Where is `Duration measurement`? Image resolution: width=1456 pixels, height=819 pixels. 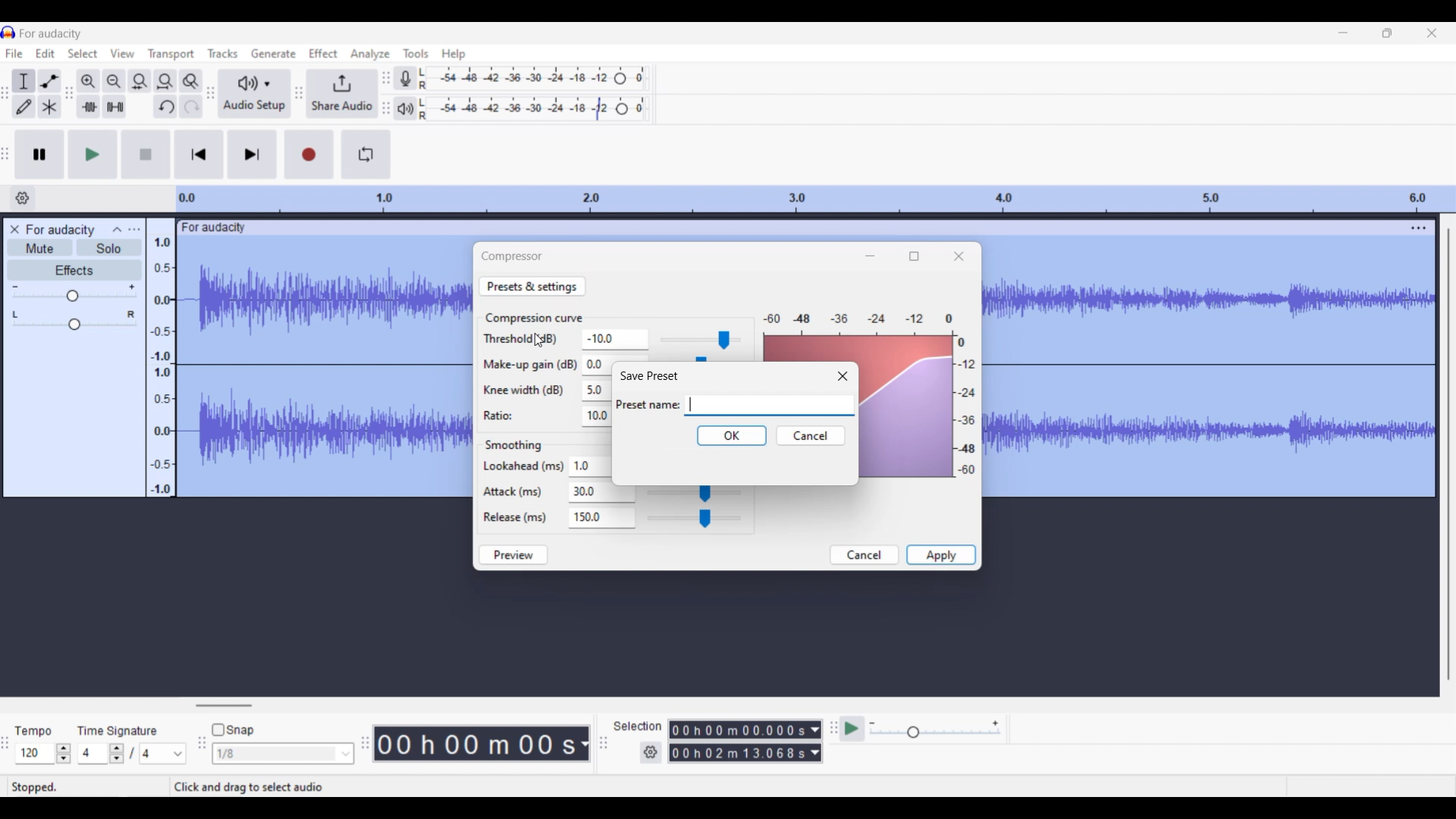 Duration measurement is located at coordinates (583, 744).